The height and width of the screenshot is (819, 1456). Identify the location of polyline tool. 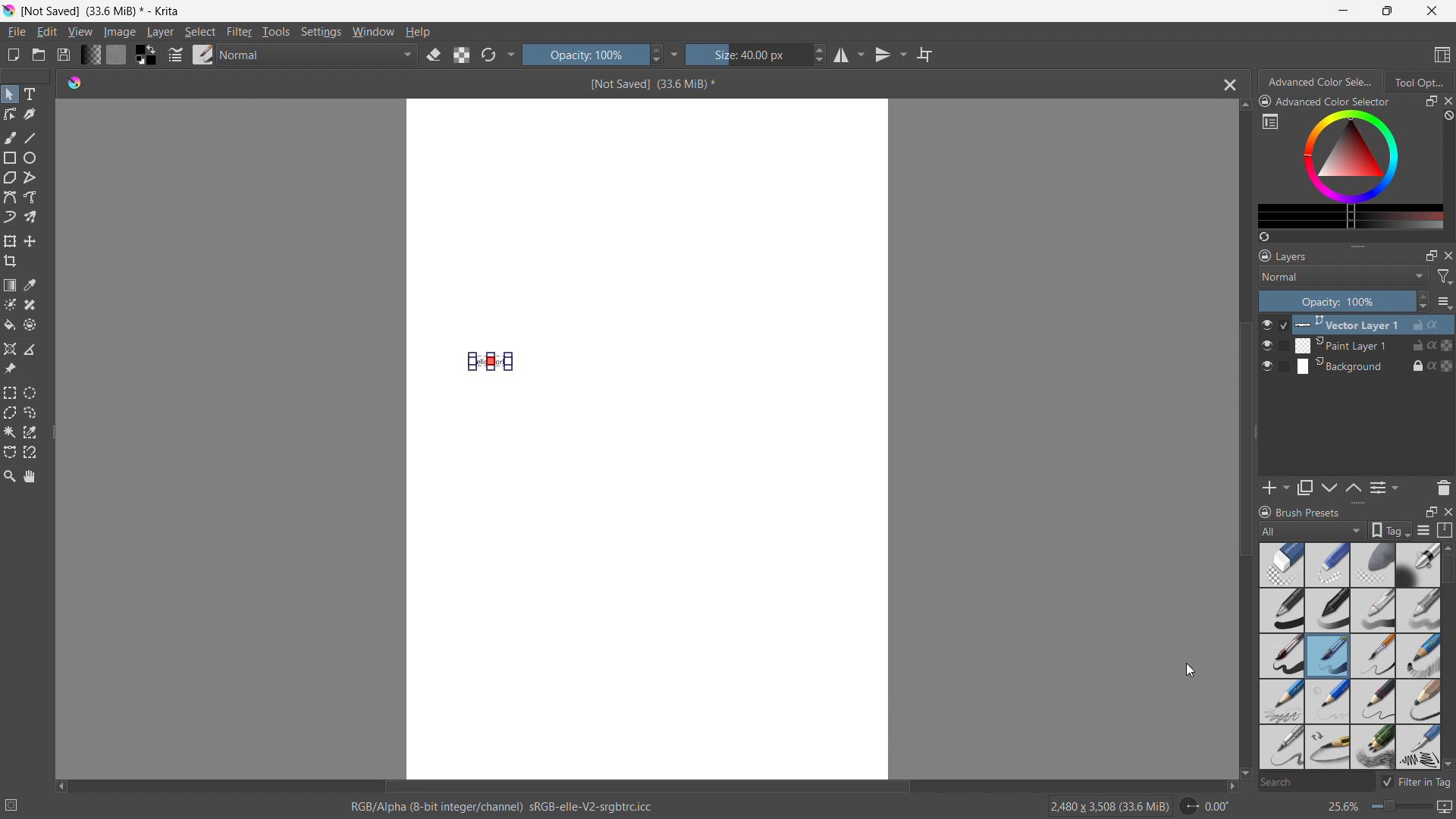
(30, 179).